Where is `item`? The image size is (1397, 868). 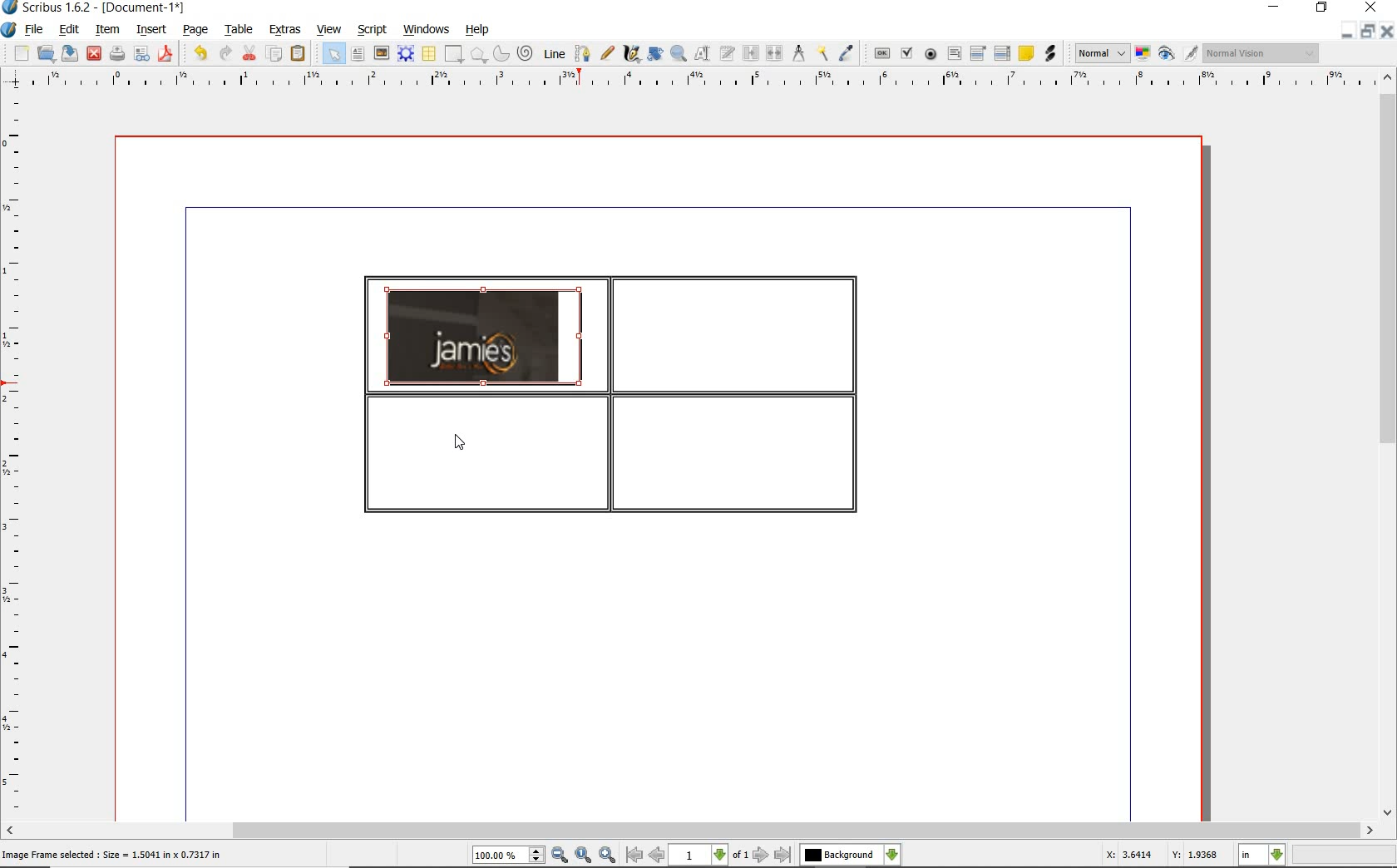 item is located at coordinates (106, 30).